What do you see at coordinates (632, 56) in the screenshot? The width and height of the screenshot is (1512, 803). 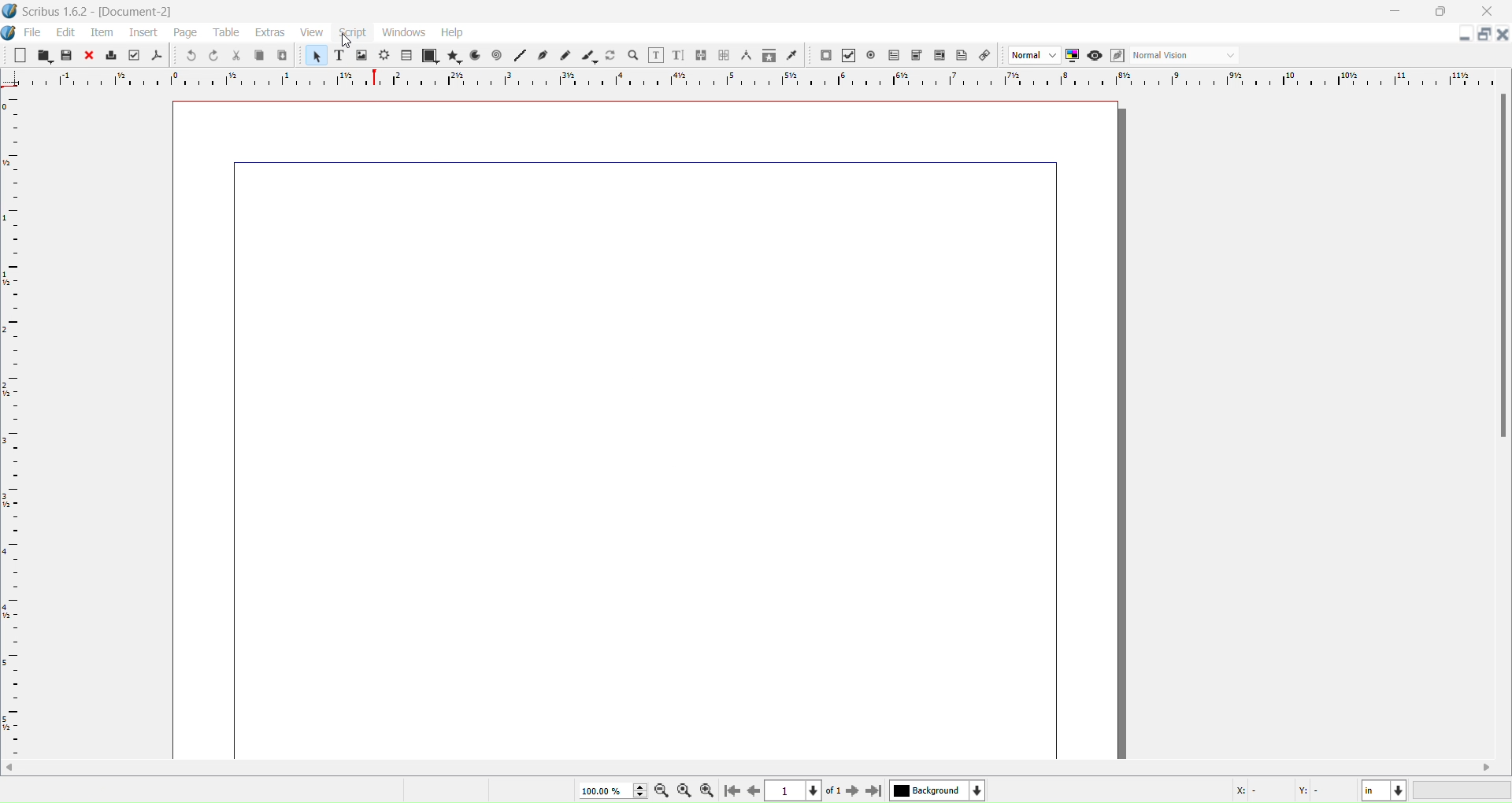 I see `Zoom and Pan` at bounding box center [632, 56].